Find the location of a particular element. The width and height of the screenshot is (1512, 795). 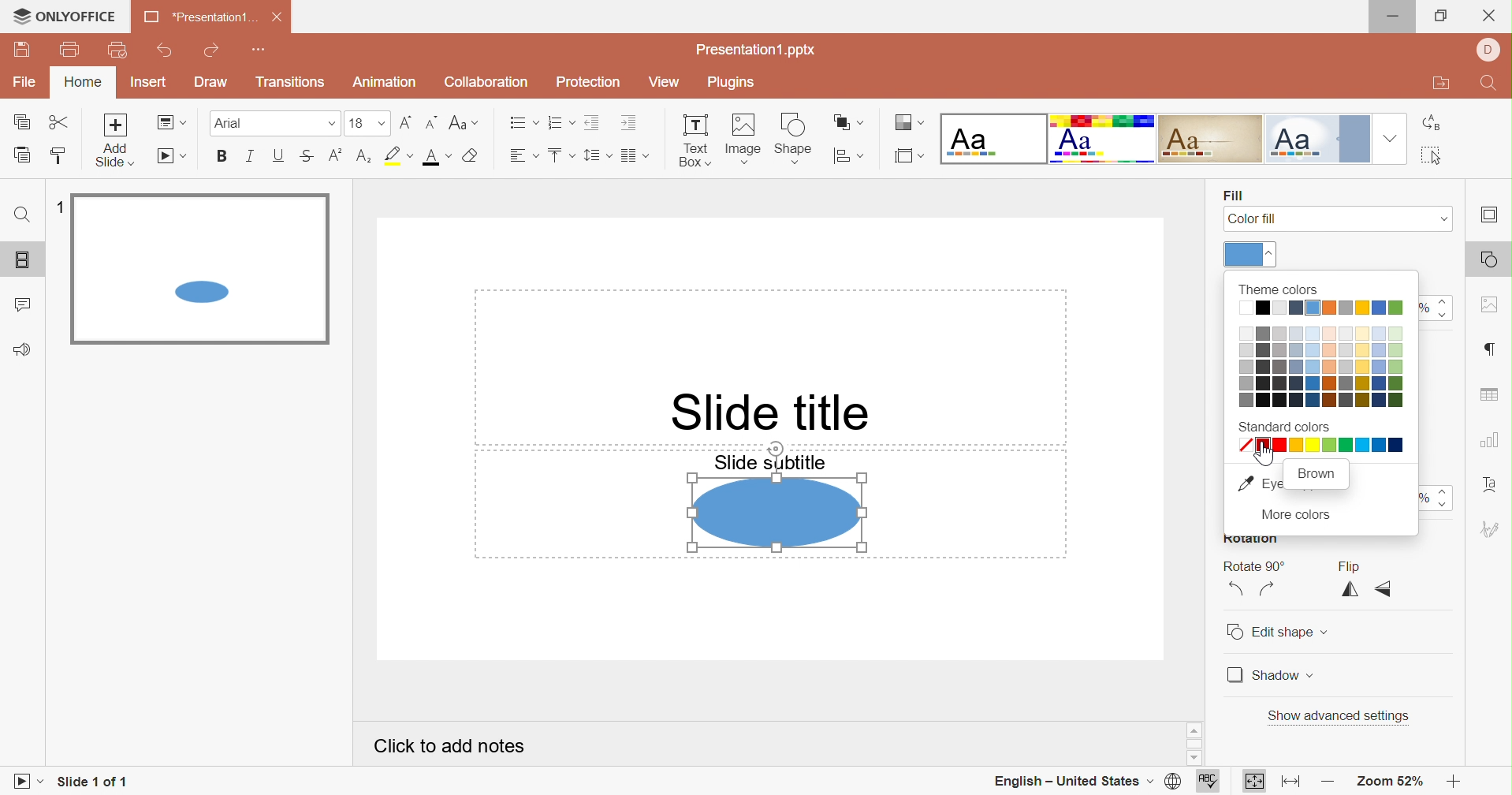

Transitions is located at coordinates (291, 82).